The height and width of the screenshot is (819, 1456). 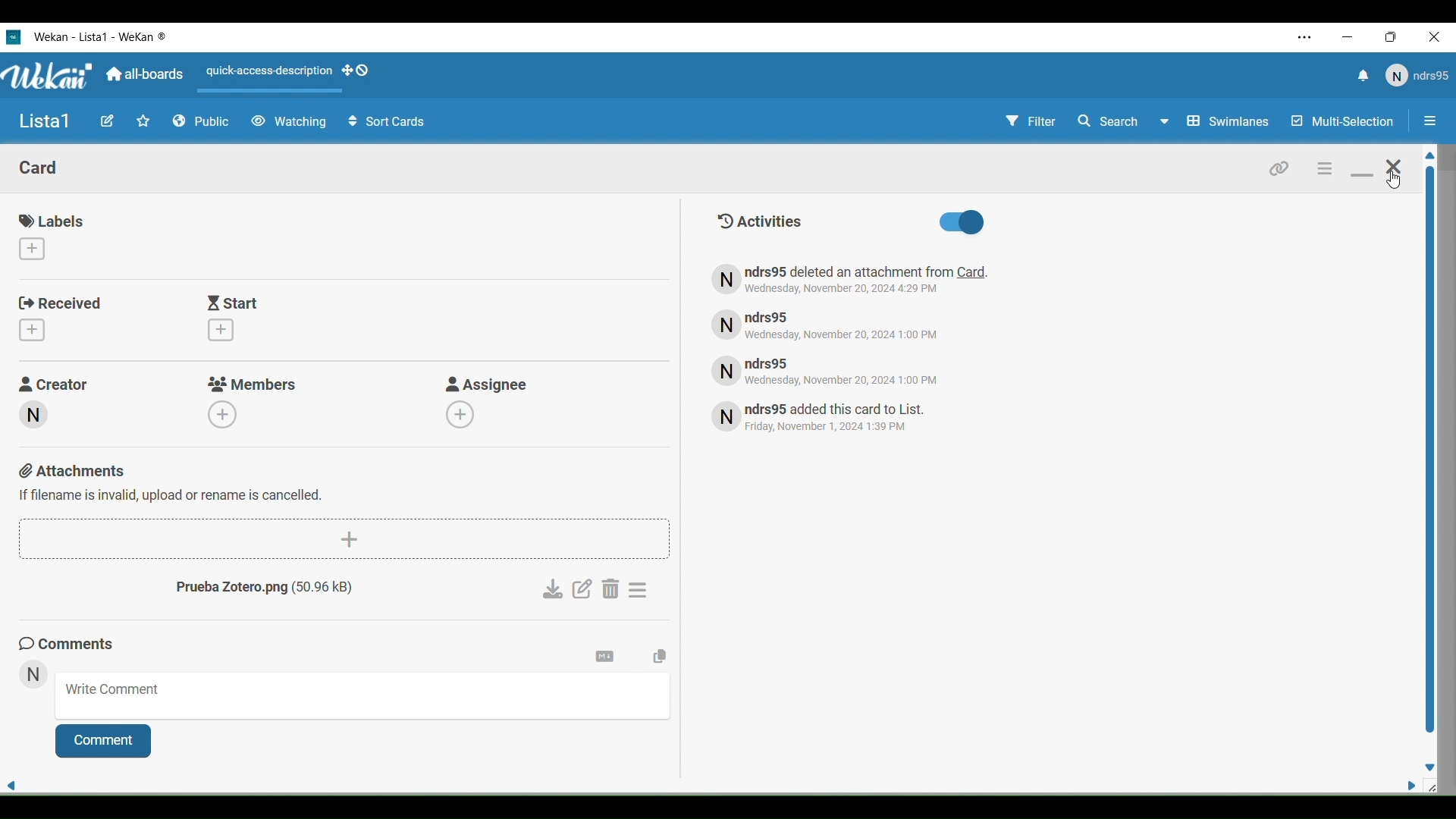 I want to click on User, so click(x=1416, y=76).